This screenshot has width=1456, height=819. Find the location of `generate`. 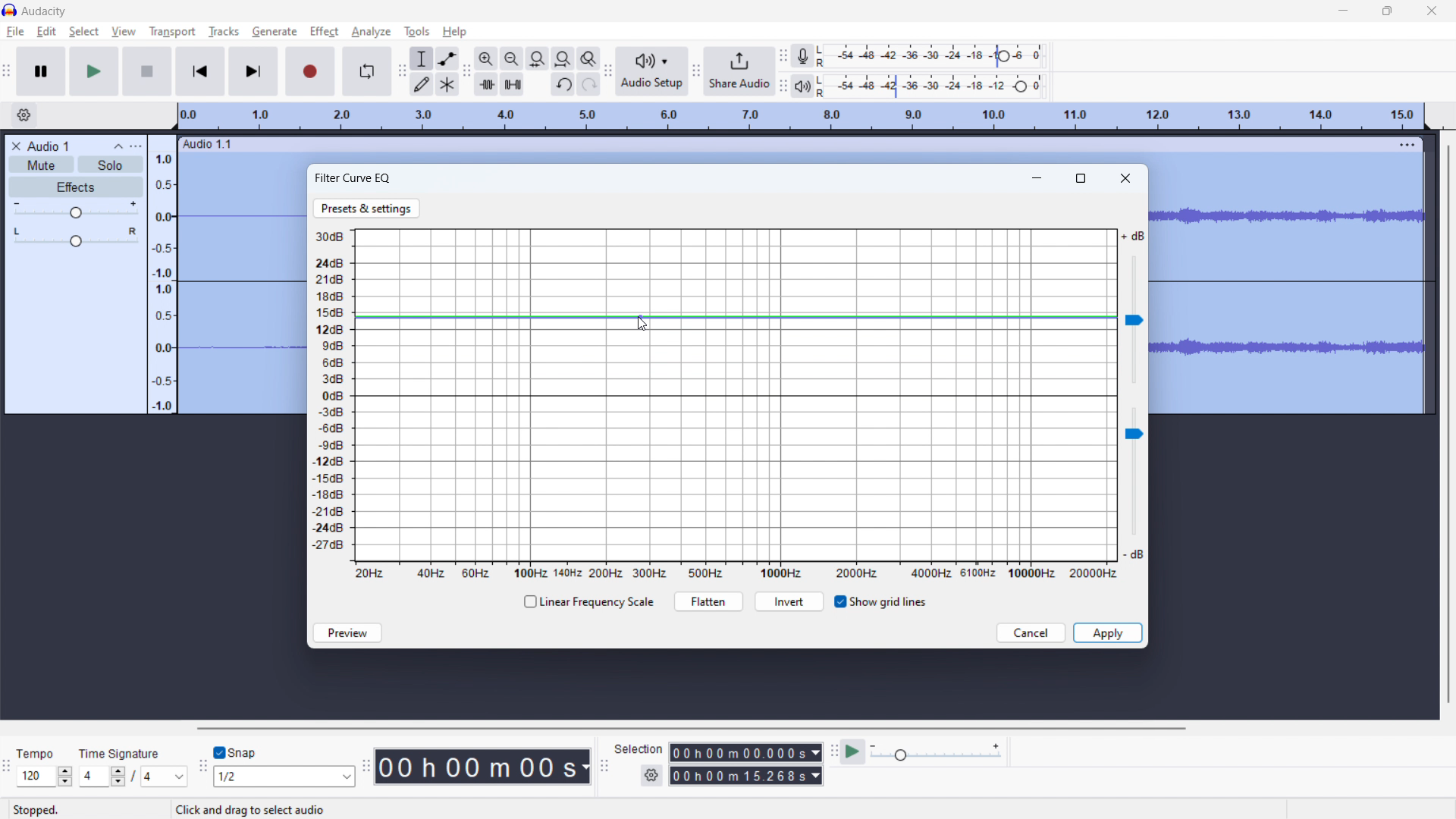

generate is located at coordinates (275, 31).